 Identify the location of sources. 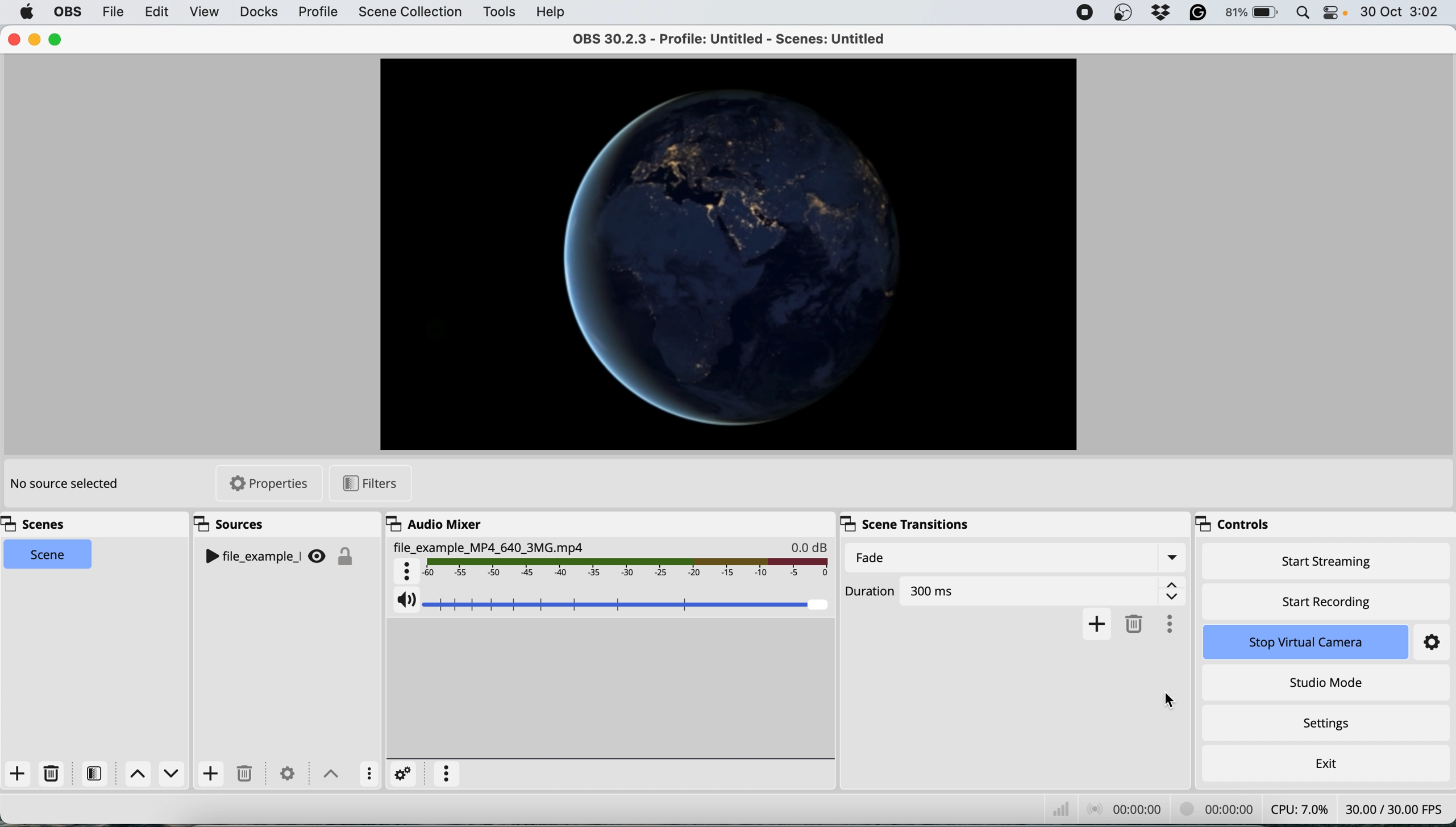
(236, 526).